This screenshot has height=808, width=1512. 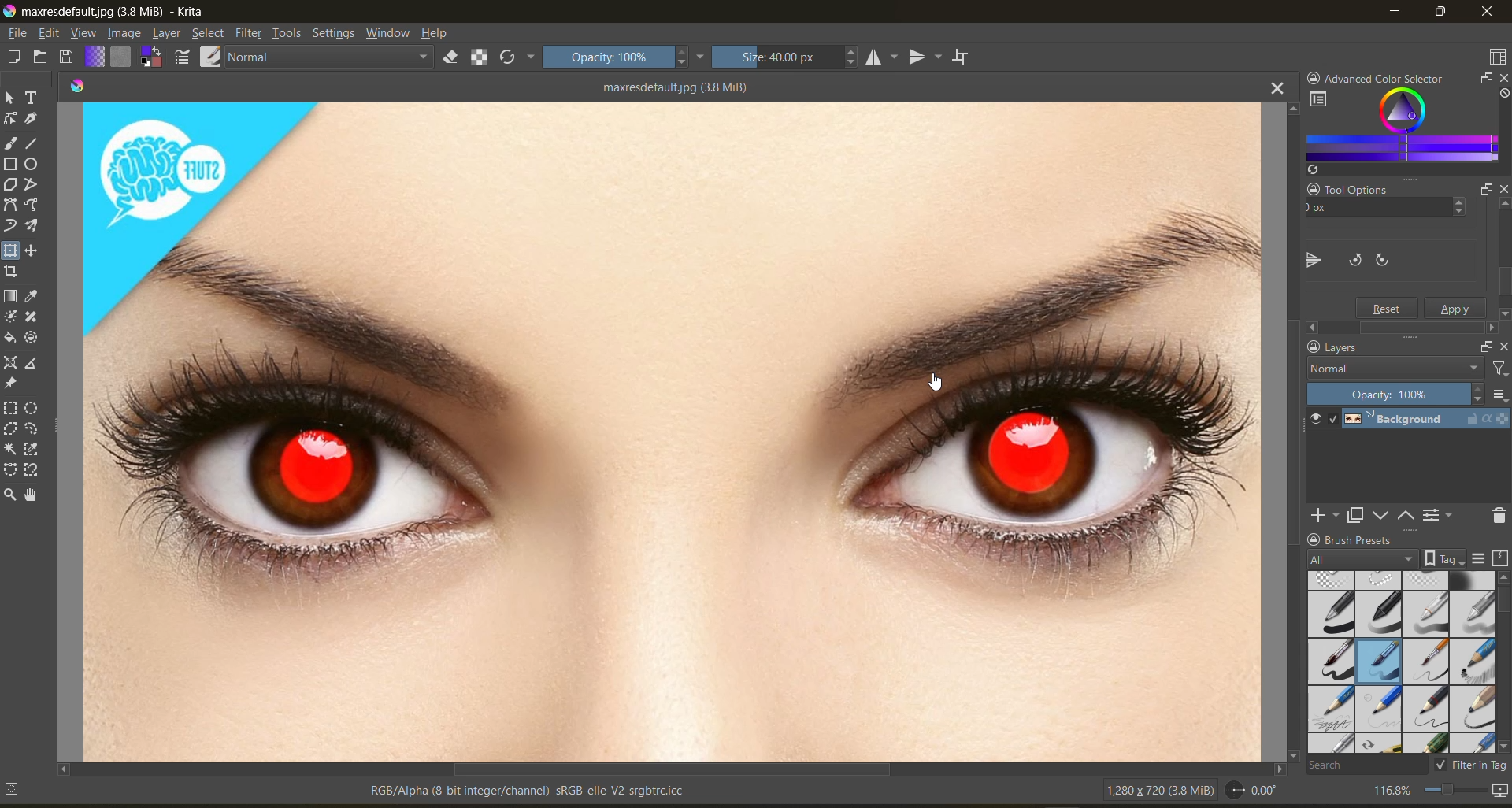 I want to click on display settings, so click(x=1480, y=557).